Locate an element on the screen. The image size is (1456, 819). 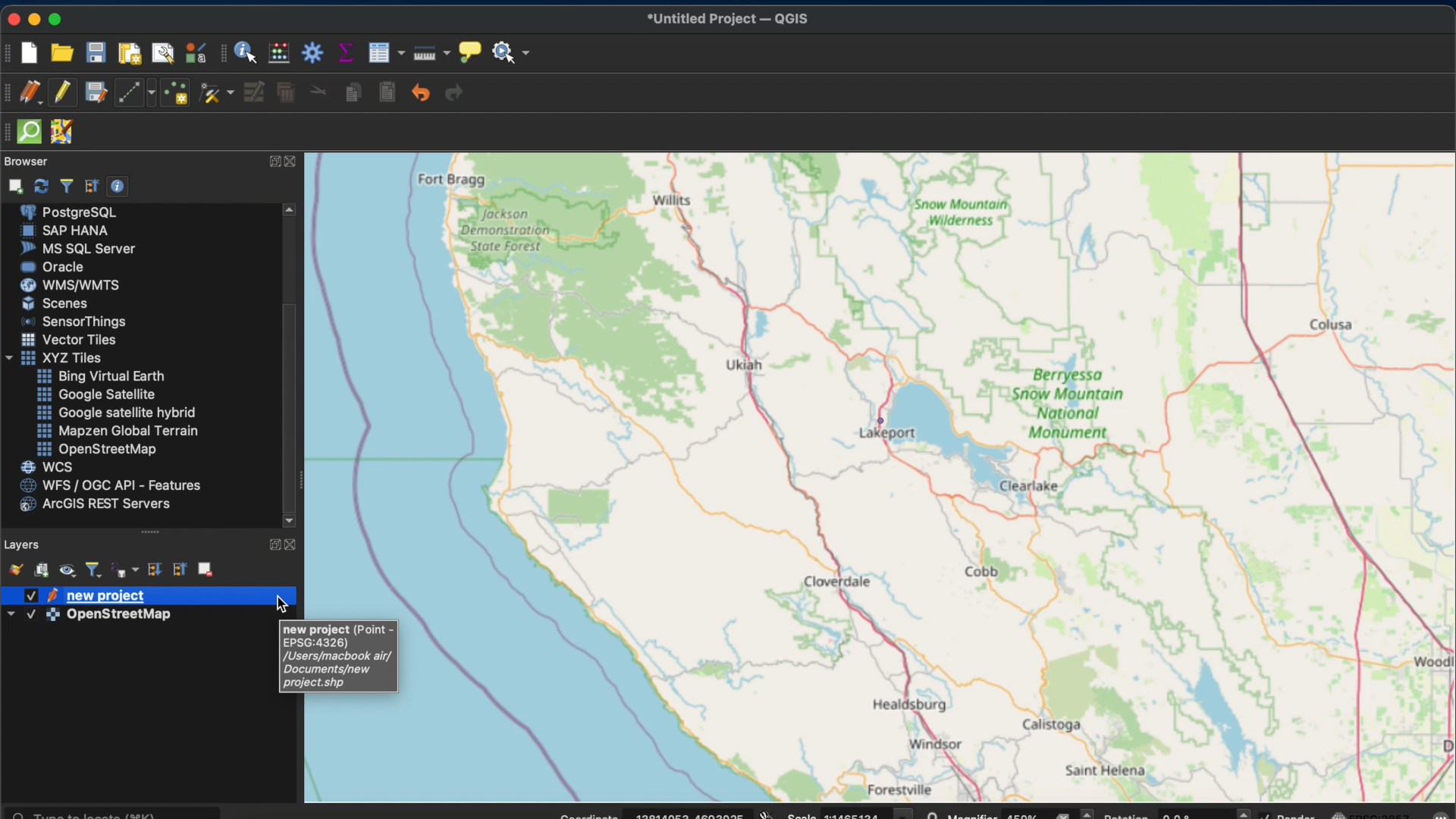
close is located at coordinates (294, 164).